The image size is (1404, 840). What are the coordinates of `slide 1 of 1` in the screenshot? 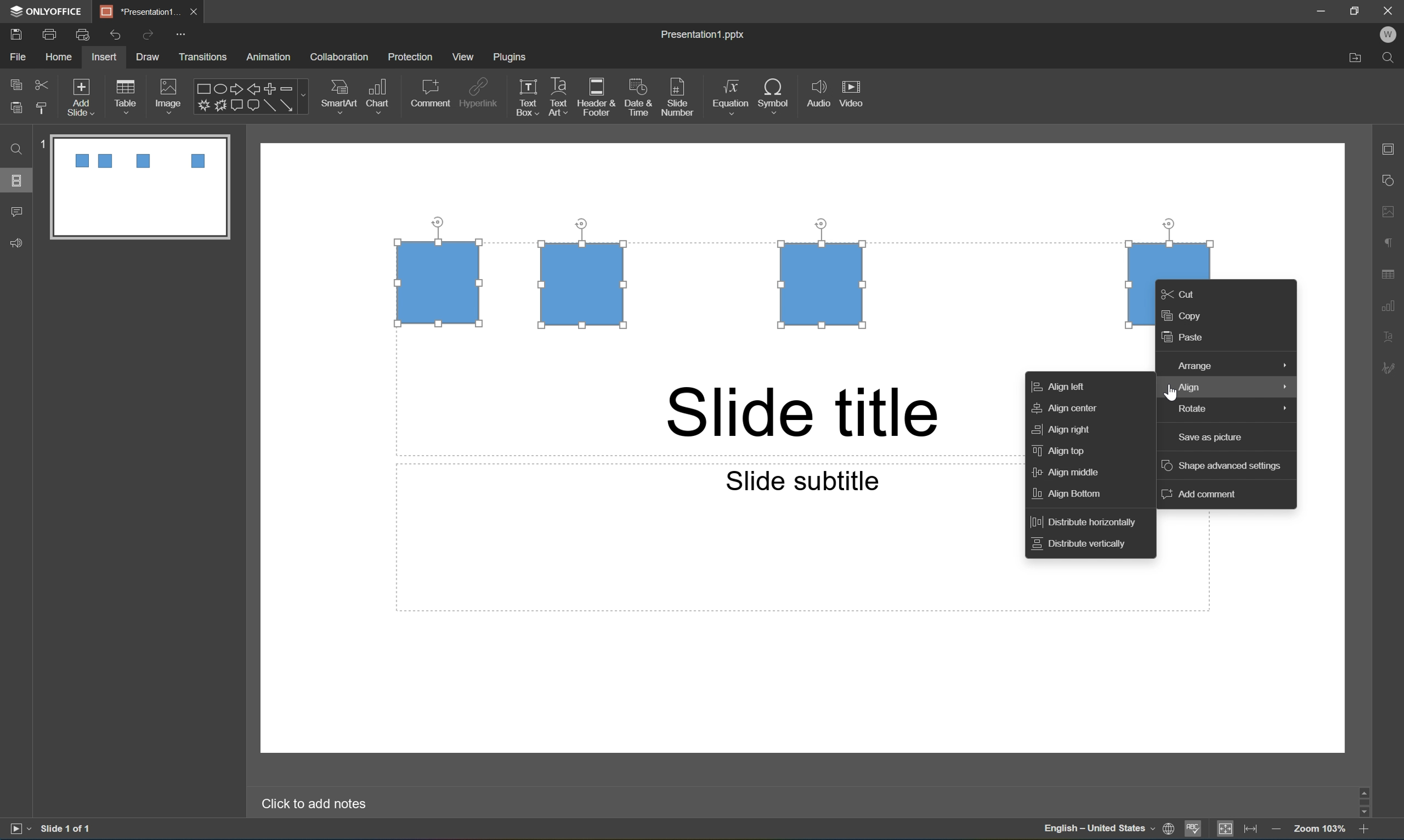 It's located at (66, 830).